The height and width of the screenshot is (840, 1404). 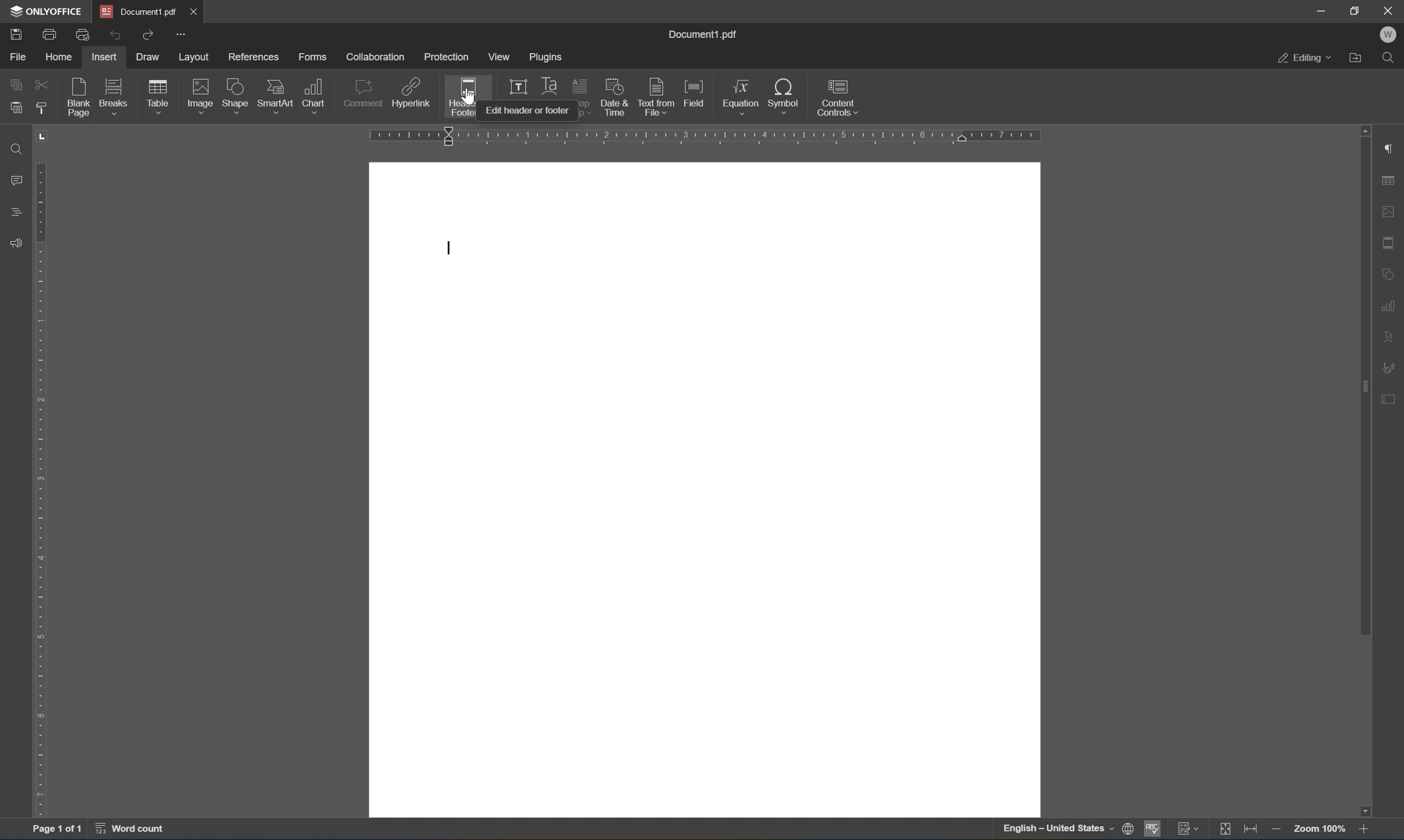 What do you see at coordinates (40, 107) in the screenshot?
I see `copy style` at bounding box center [40, 107].